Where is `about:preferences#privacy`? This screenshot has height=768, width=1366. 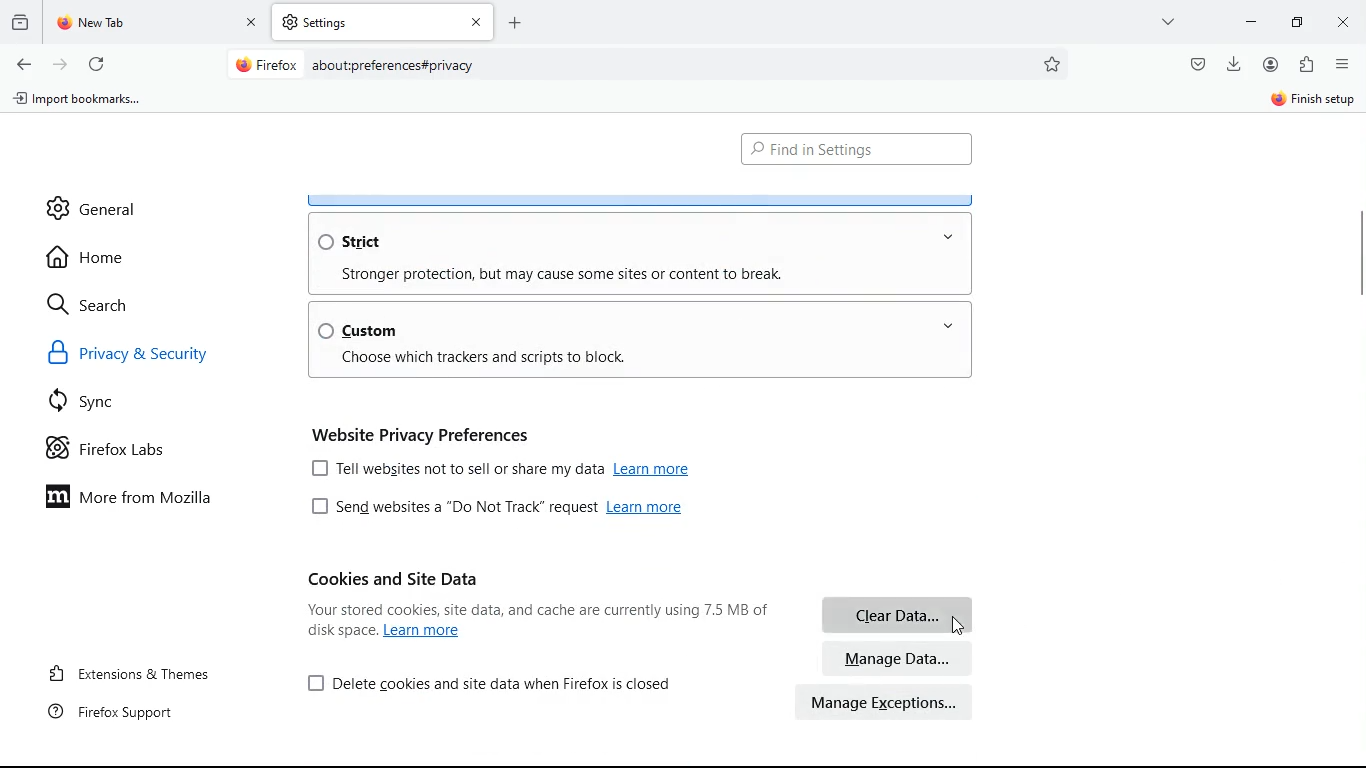
about:preferences#privacy is located at coordinates (394, 66).